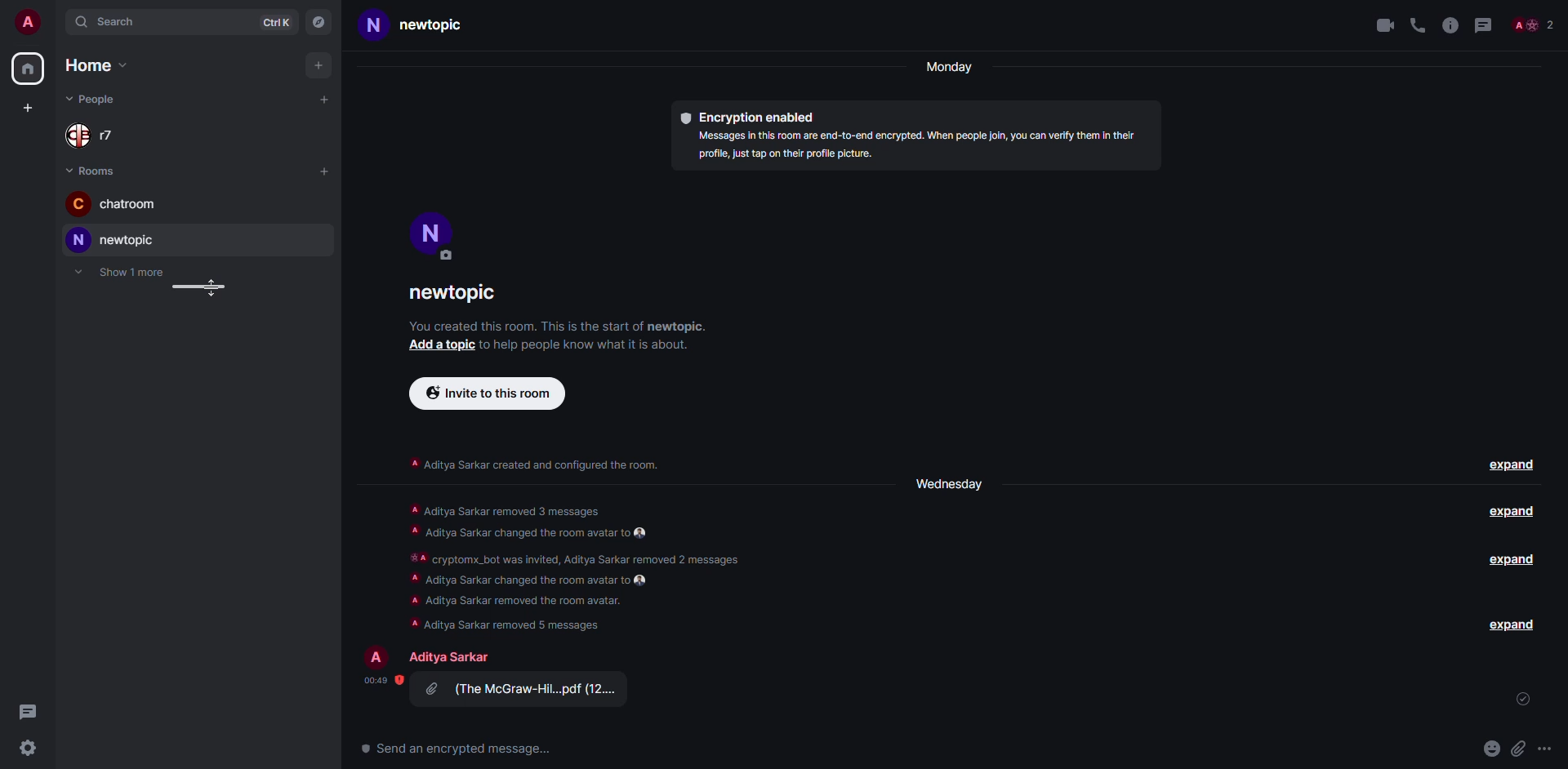 This screenshot has width=1568, height=769. I want to click on r7, so click(96, 134).